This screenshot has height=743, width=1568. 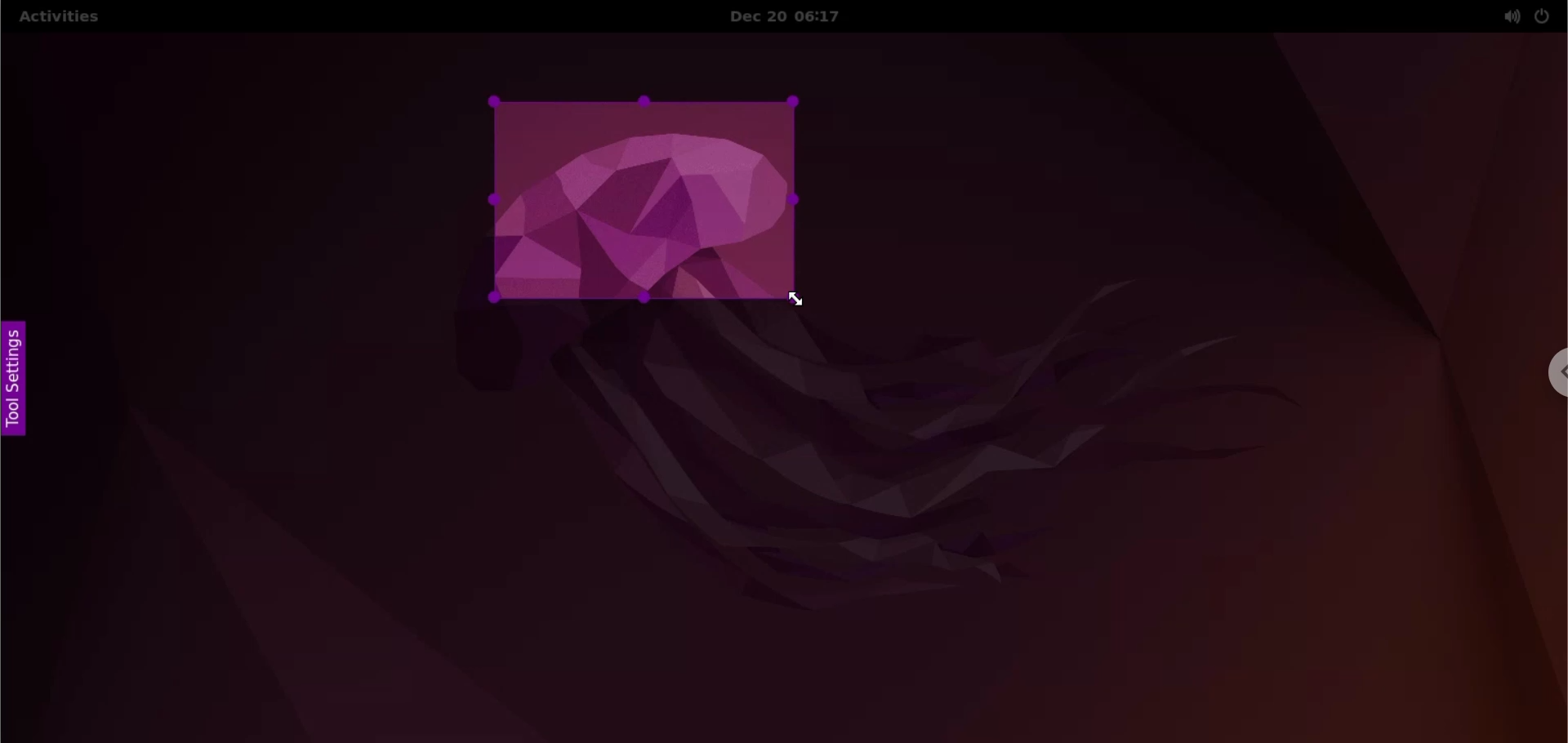 I want to click on select capture area, so click(x=640, y=202).